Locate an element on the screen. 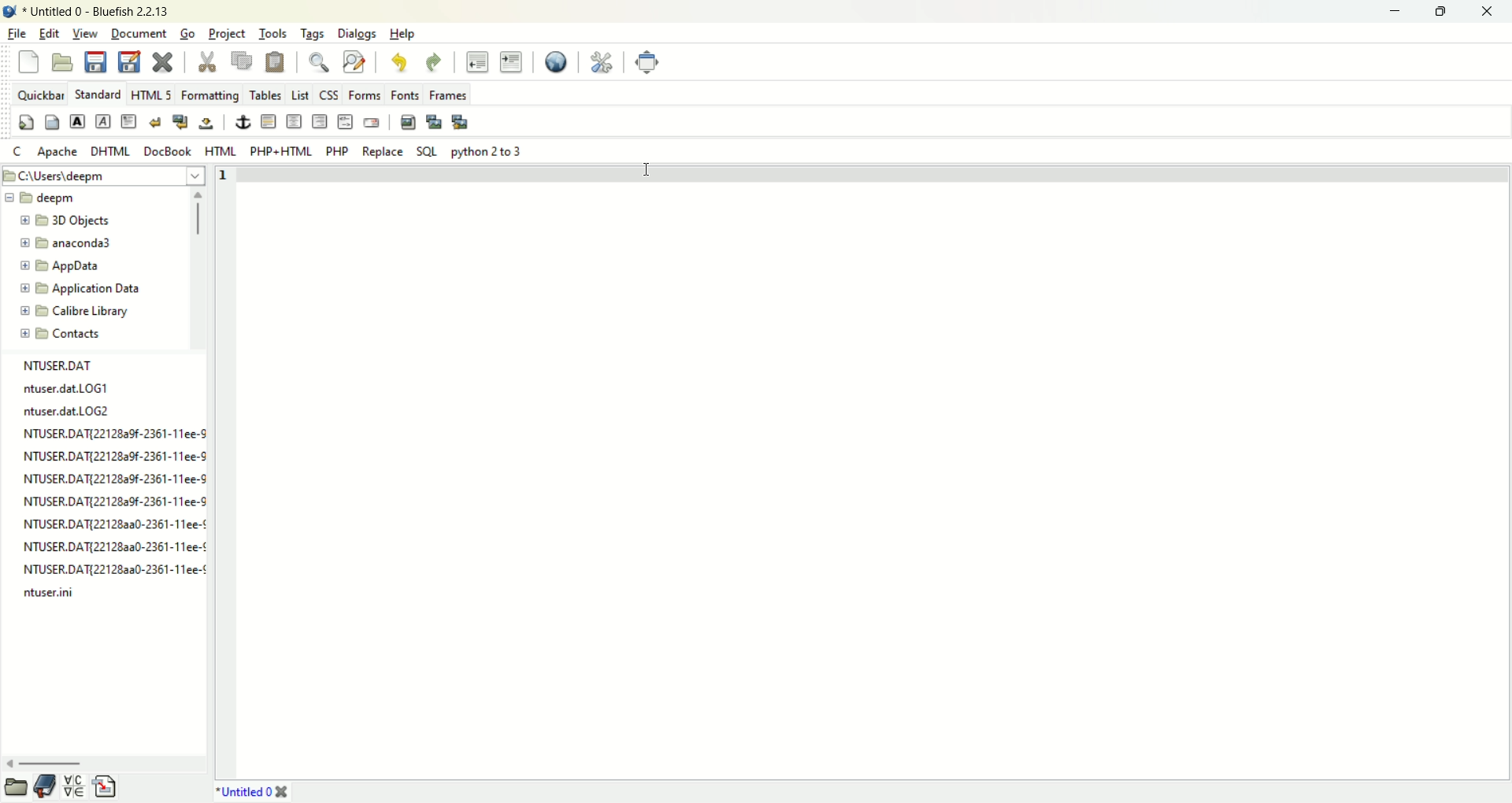 The height and width of the screenshot is (803, 1512). NTUSER DAT(22128a9f-2361-11ee-§ is located at coordinates (113, 430).